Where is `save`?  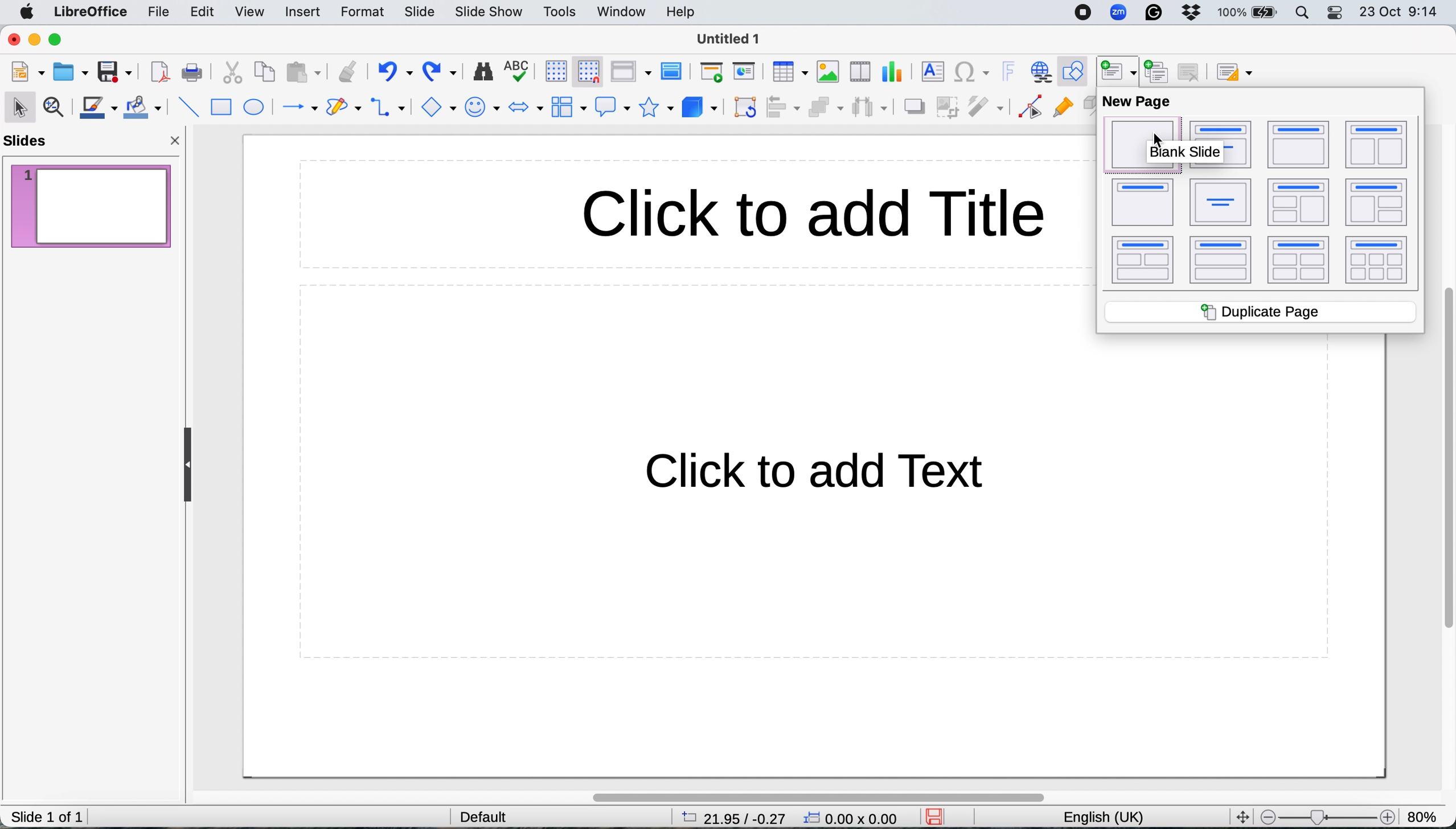 save is located at coordinates (113, 72).